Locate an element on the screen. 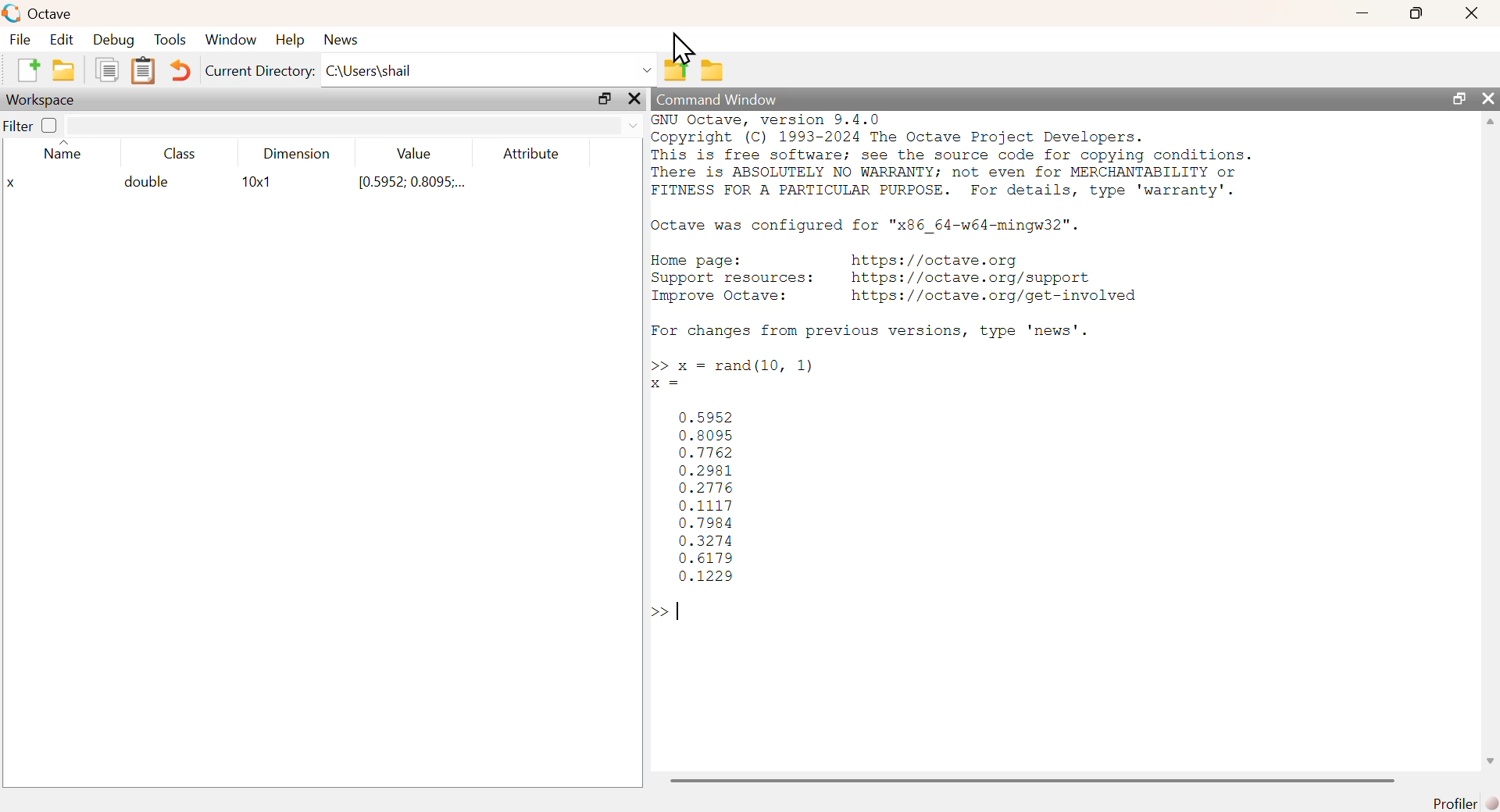 The width and height of the screenshot is (1500, 812). [0.5952; 0.8095... is located at coordinates (411, 184).